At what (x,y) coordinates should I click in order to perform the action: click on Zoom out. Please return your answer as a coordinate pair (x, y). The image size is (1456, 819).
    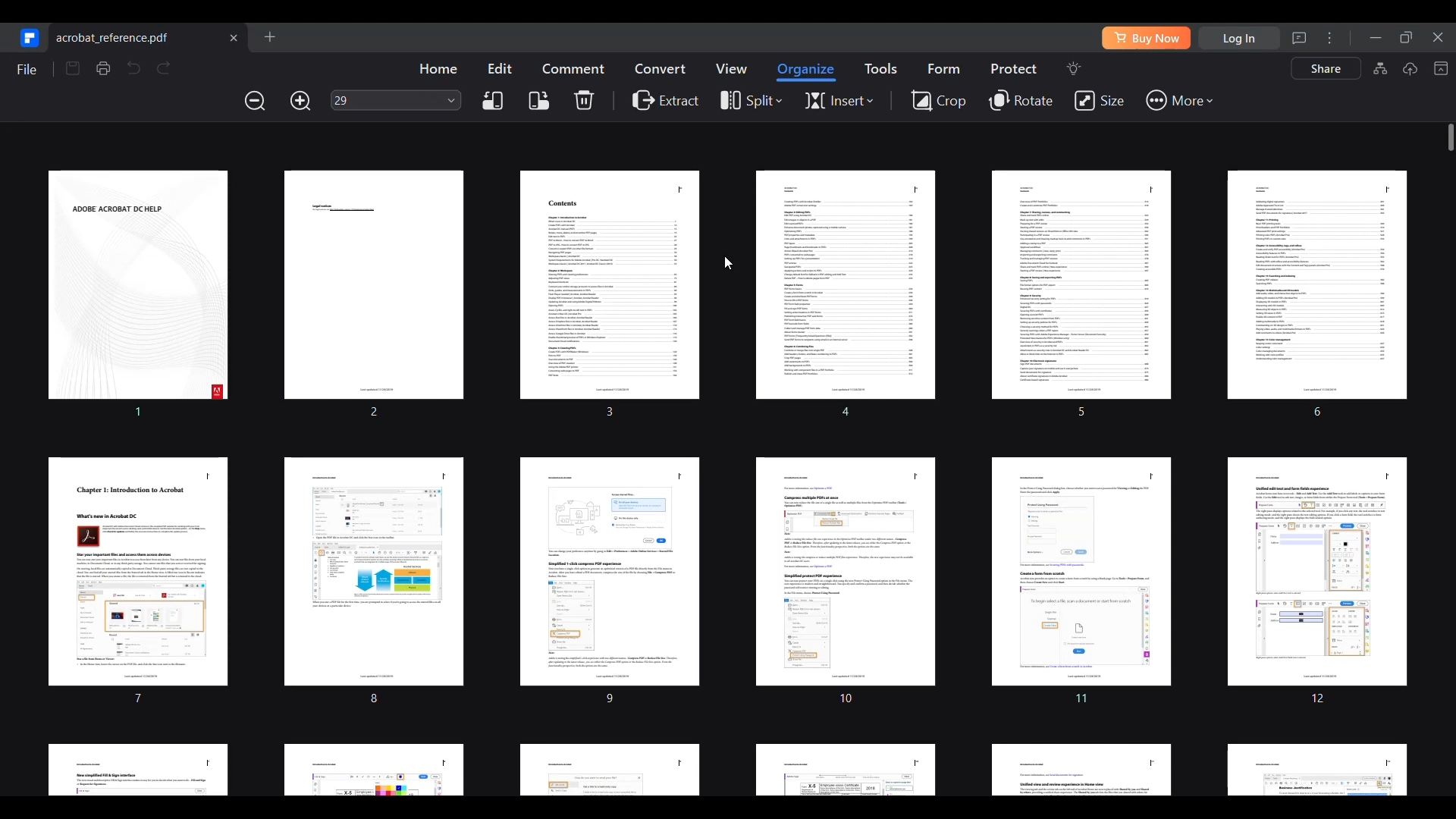
    Looking at the image, I should click on (256, 100).